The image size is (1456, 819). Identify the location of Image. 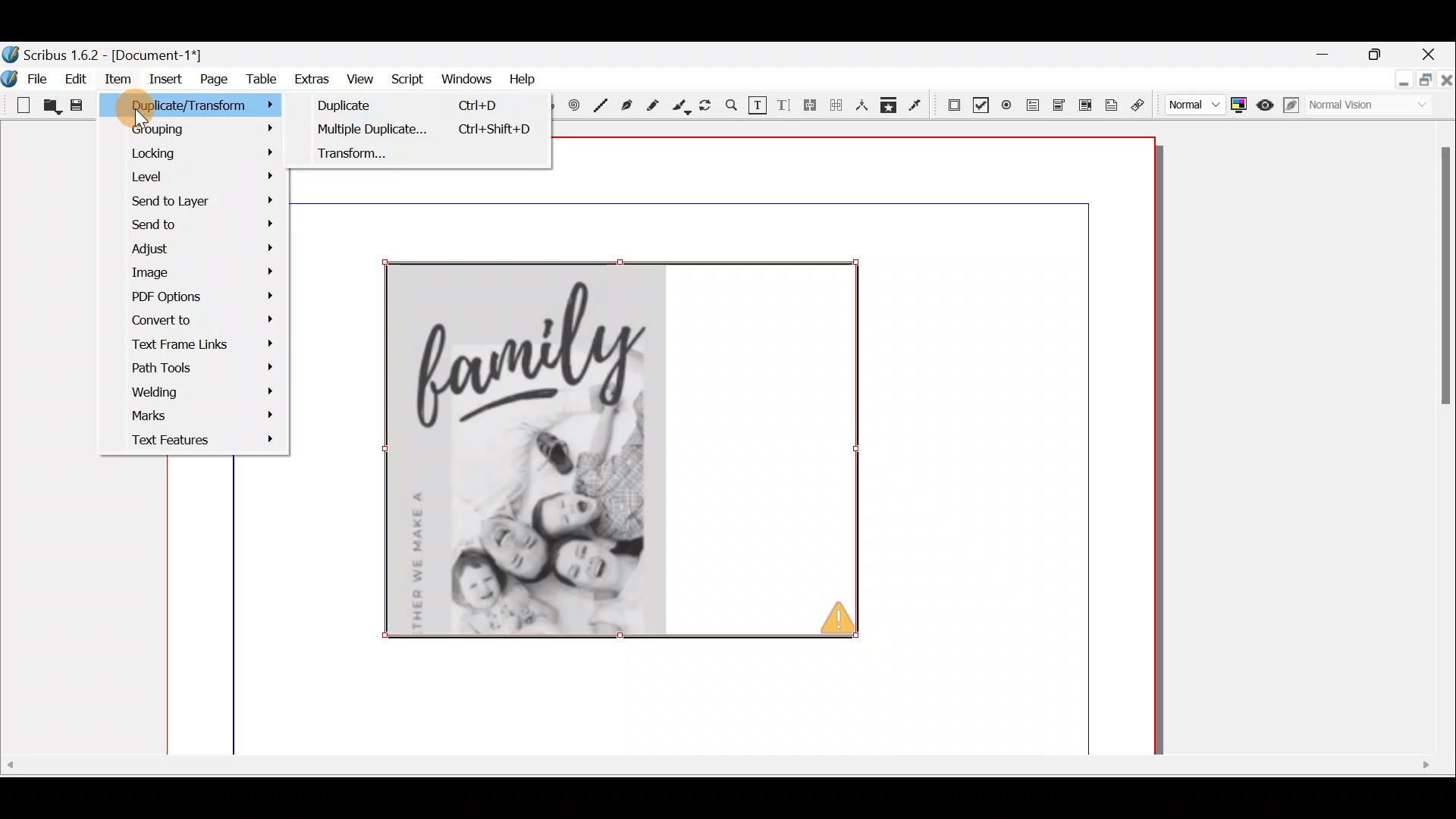
(196, 273).